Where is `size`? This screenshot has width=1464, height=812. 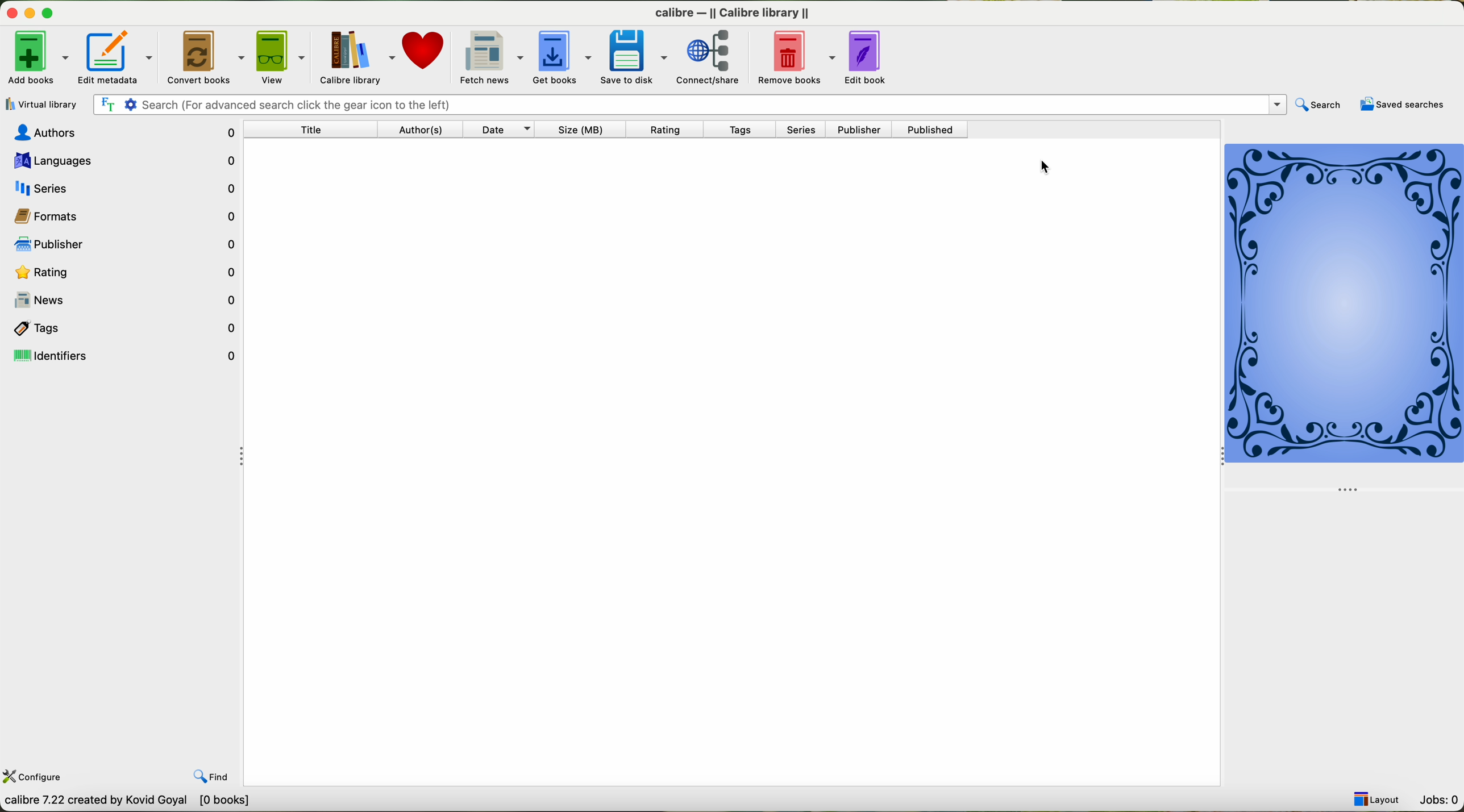
size is located at coordinates (587, 128).